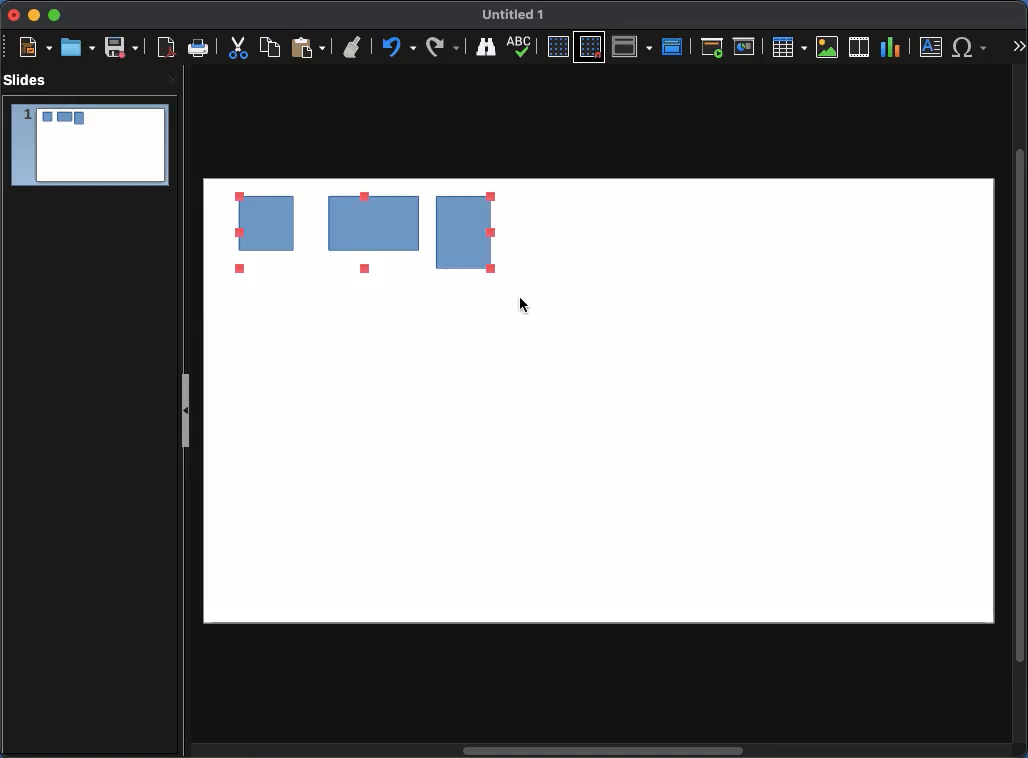 This screenshot has width=1028, height=758. What do you see at coordinates (972, 47) in the screenshot?
I see `Characters` at bounding box center [972, 47].